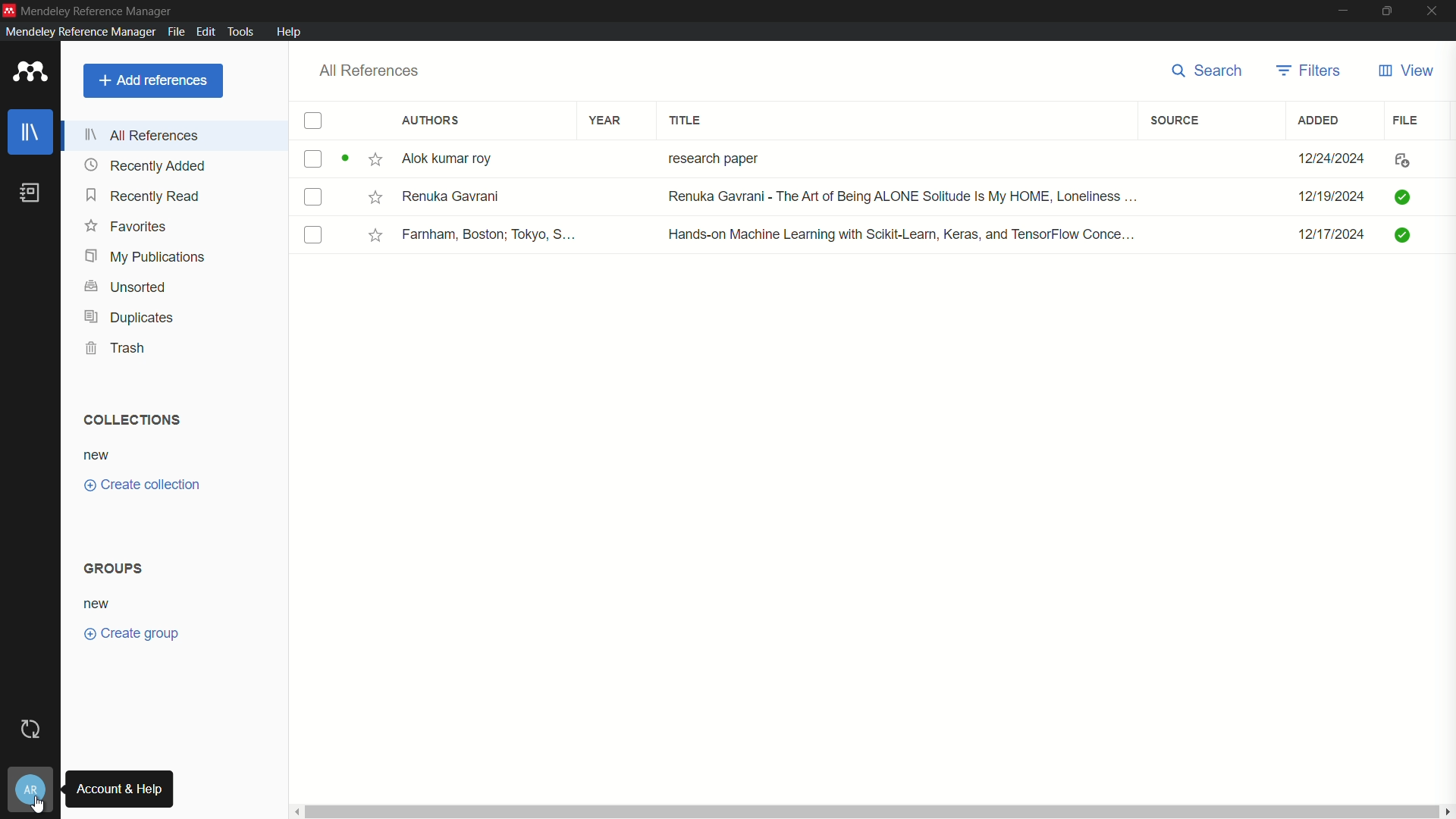 The width and height of the screenshot is (1456, 819). What do you see at coordinates (31, 72) in the screenshot?
I see `app icon` at bounding box center [31, 72].